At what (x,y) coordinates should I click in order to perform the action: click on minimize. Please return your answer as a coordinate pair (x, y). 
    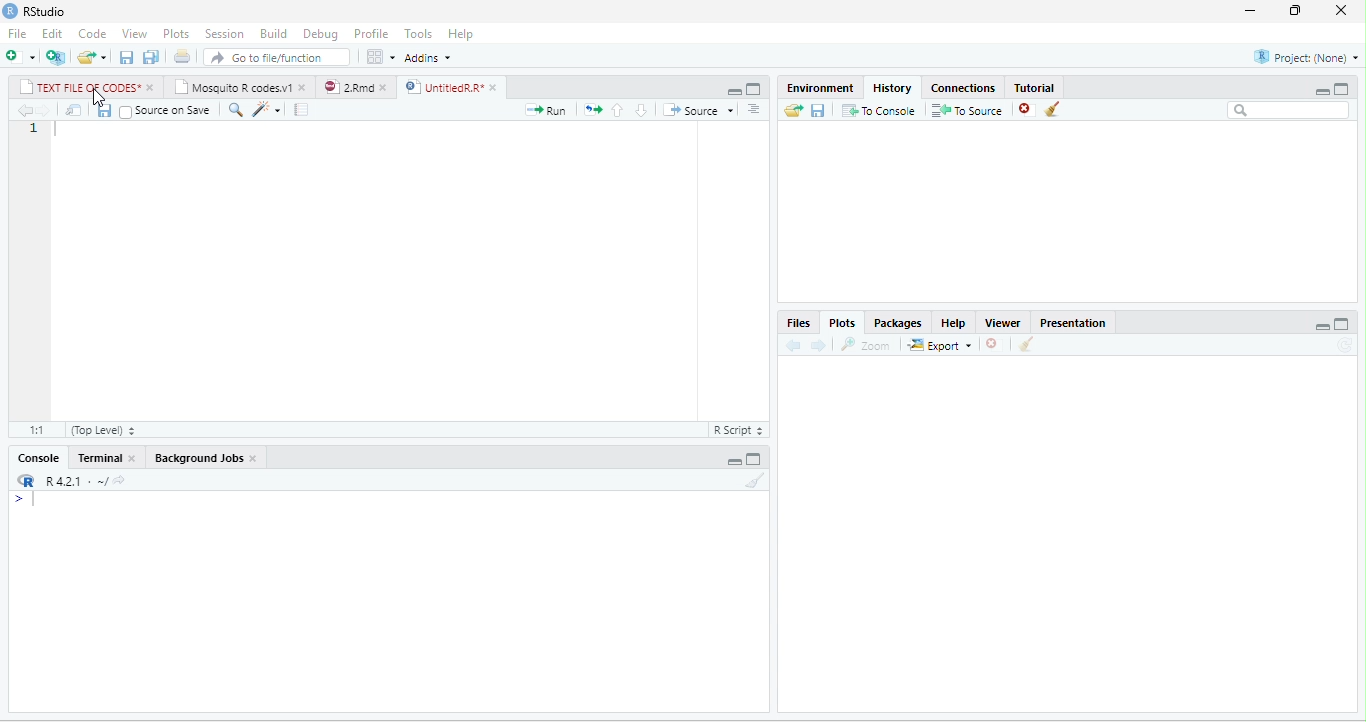
    Looking at the image, I should click on (734, 460).